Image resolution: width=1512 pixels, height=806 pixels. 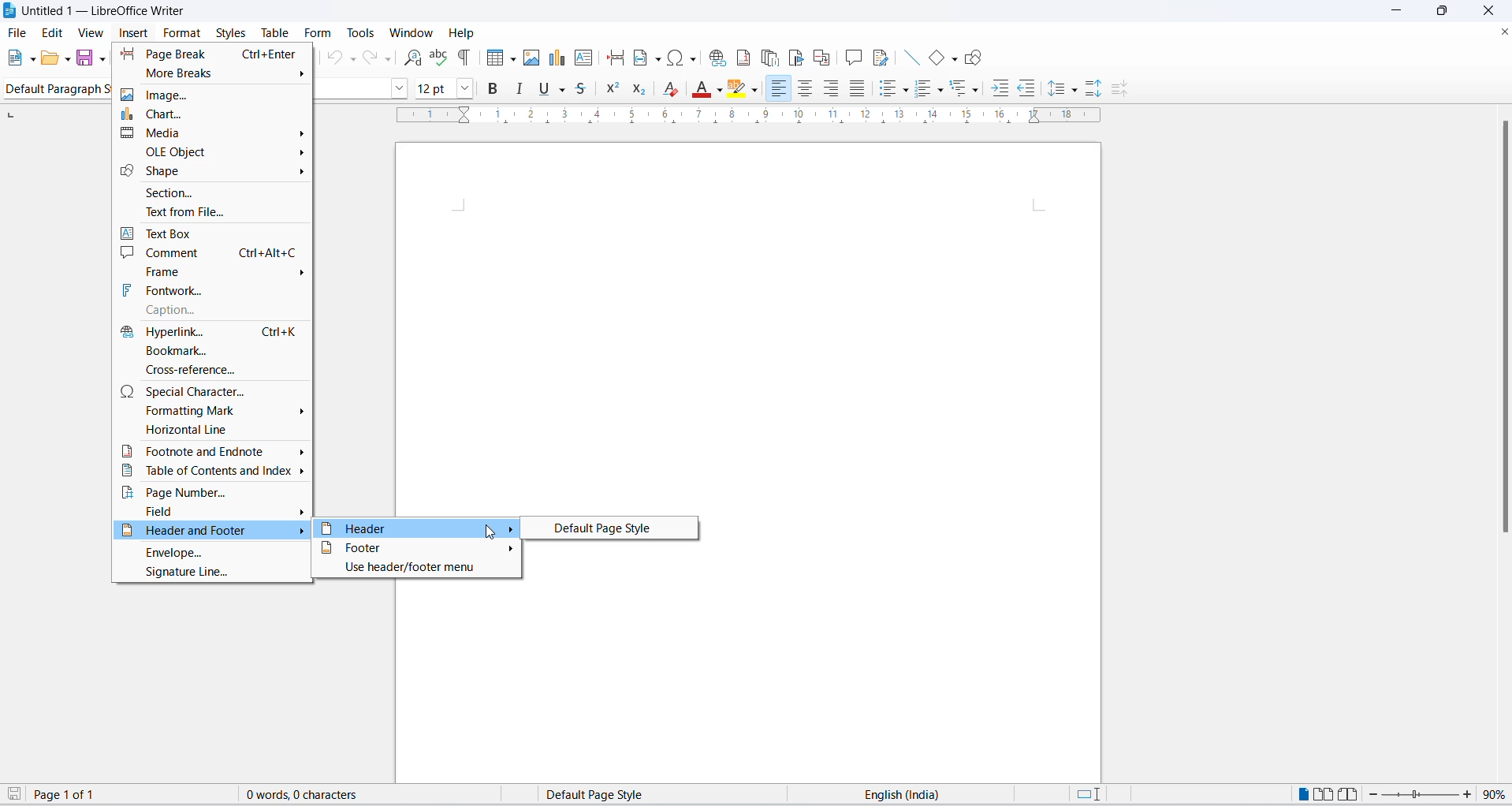 I want to click on zoom slider, so click(x=1417, y=797).